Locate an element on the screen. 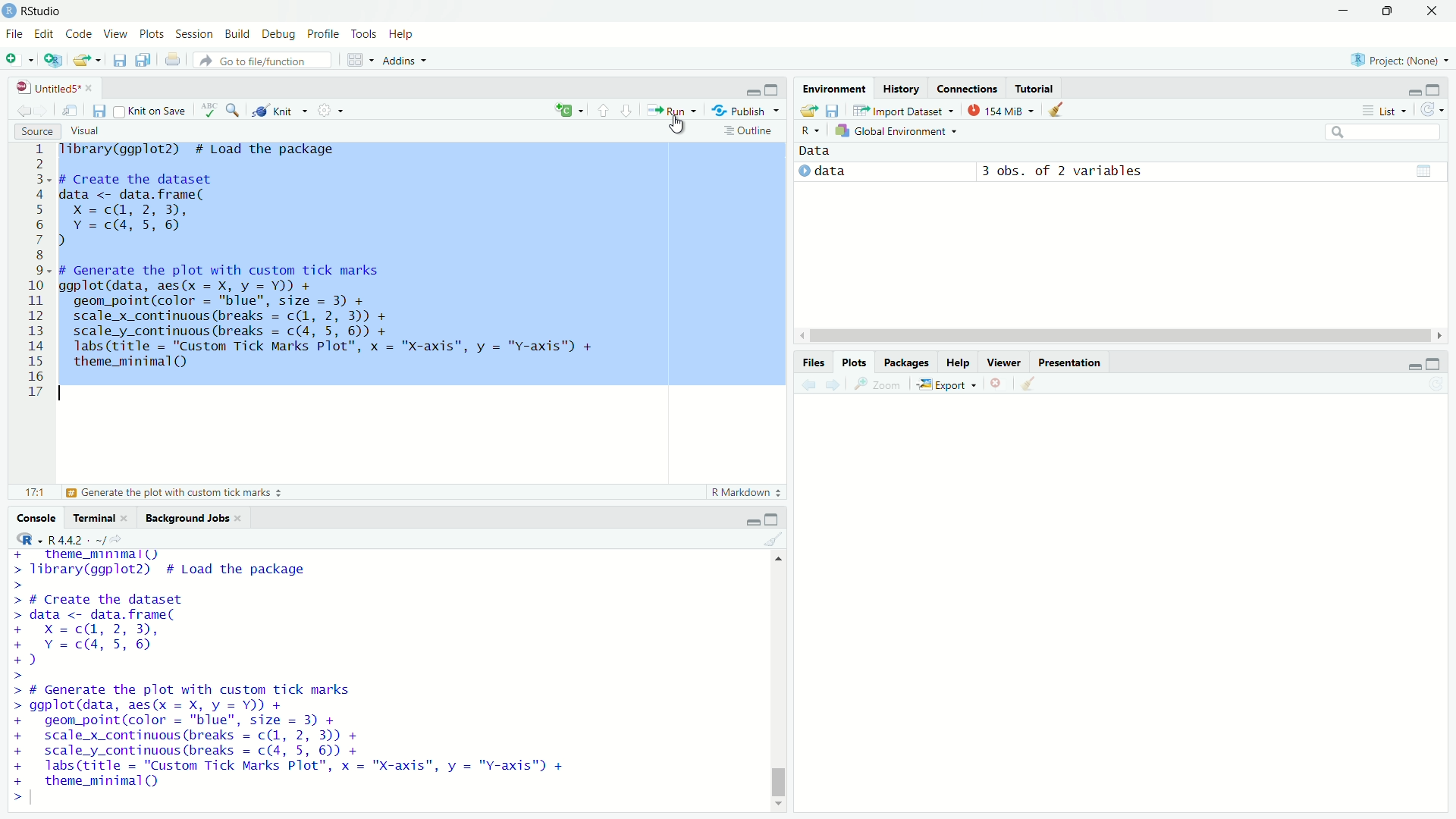 The height and width of the screenshot is (819, 1456). plots is located at coordinates (152, 36).